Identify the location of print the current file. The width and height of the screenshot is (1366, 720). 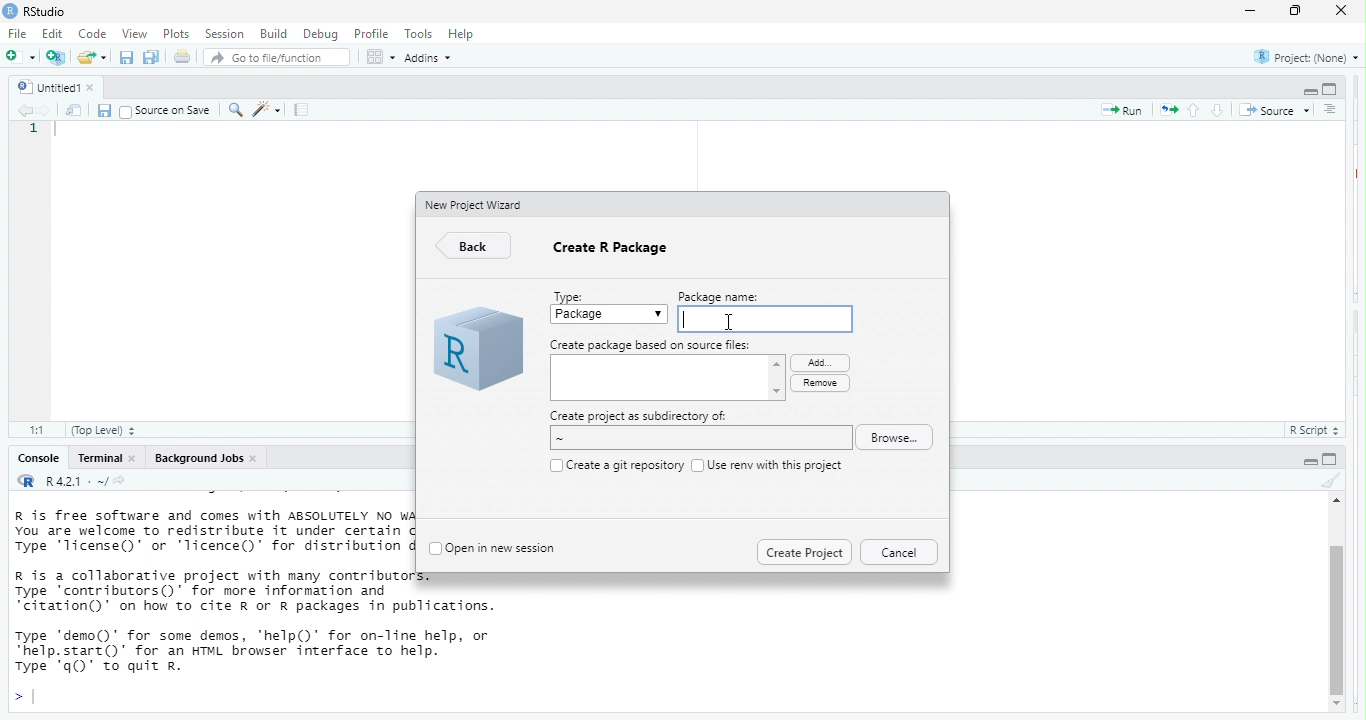
(180, 57).